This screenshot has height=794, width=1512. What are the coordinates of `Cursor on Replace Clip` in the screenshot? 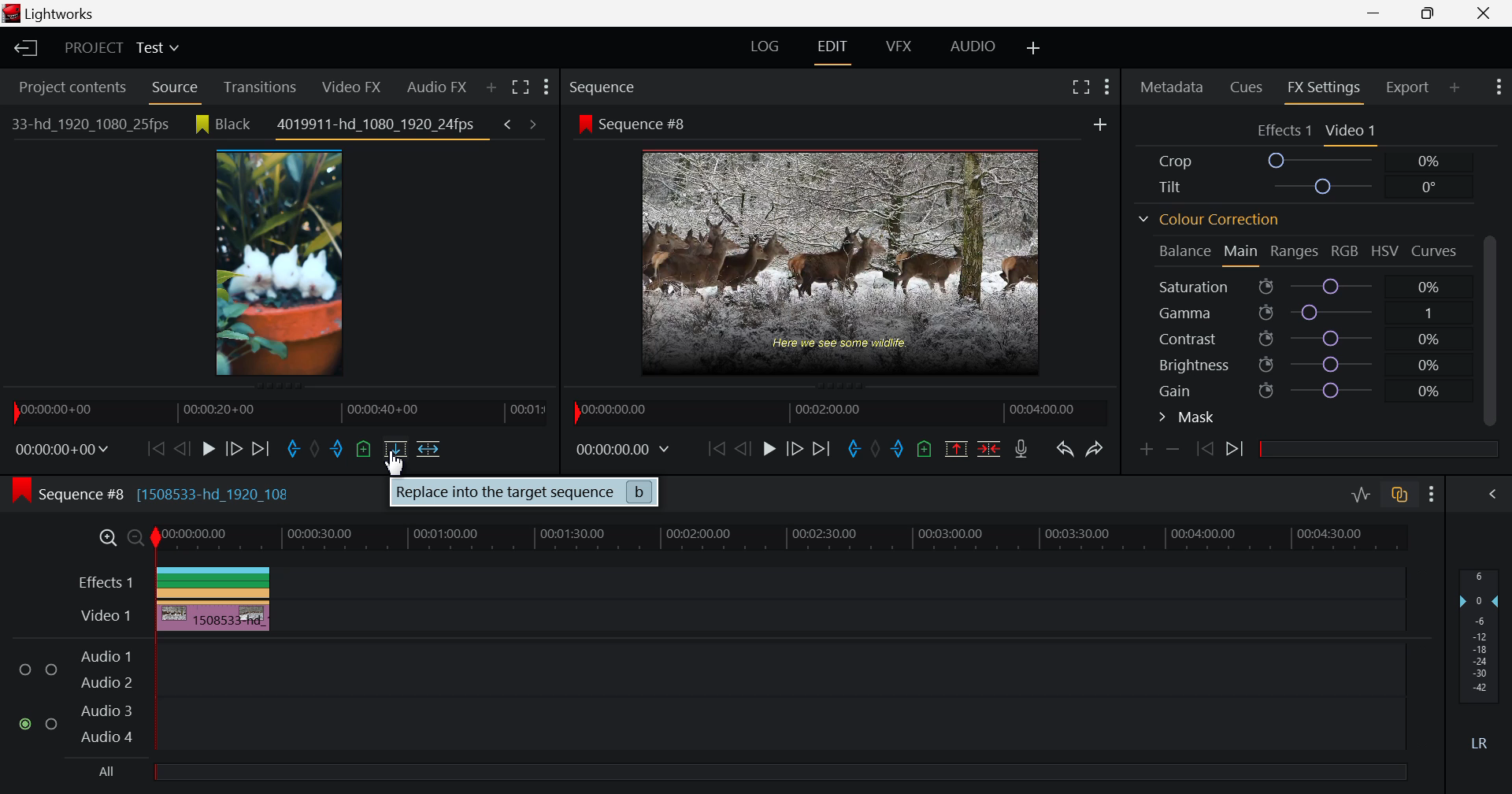 It's located at (395, 456).